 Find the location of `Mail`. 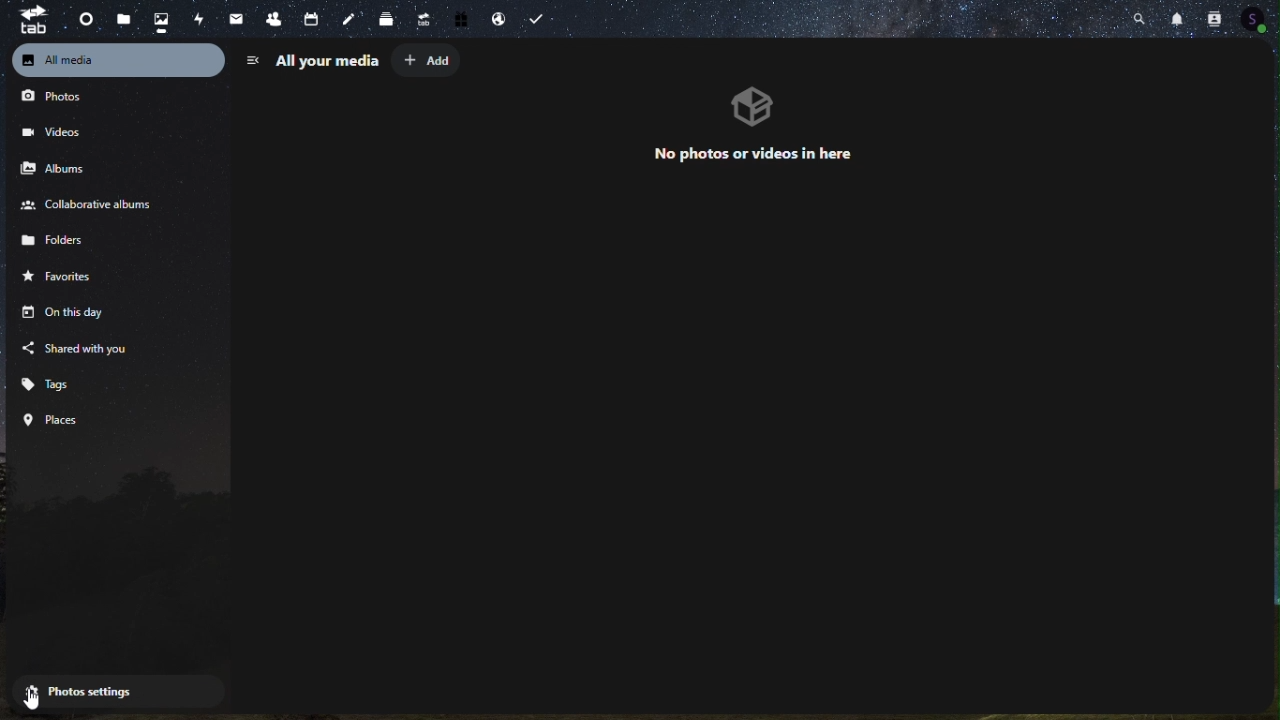

Mail is located at coordinates (233, 19).